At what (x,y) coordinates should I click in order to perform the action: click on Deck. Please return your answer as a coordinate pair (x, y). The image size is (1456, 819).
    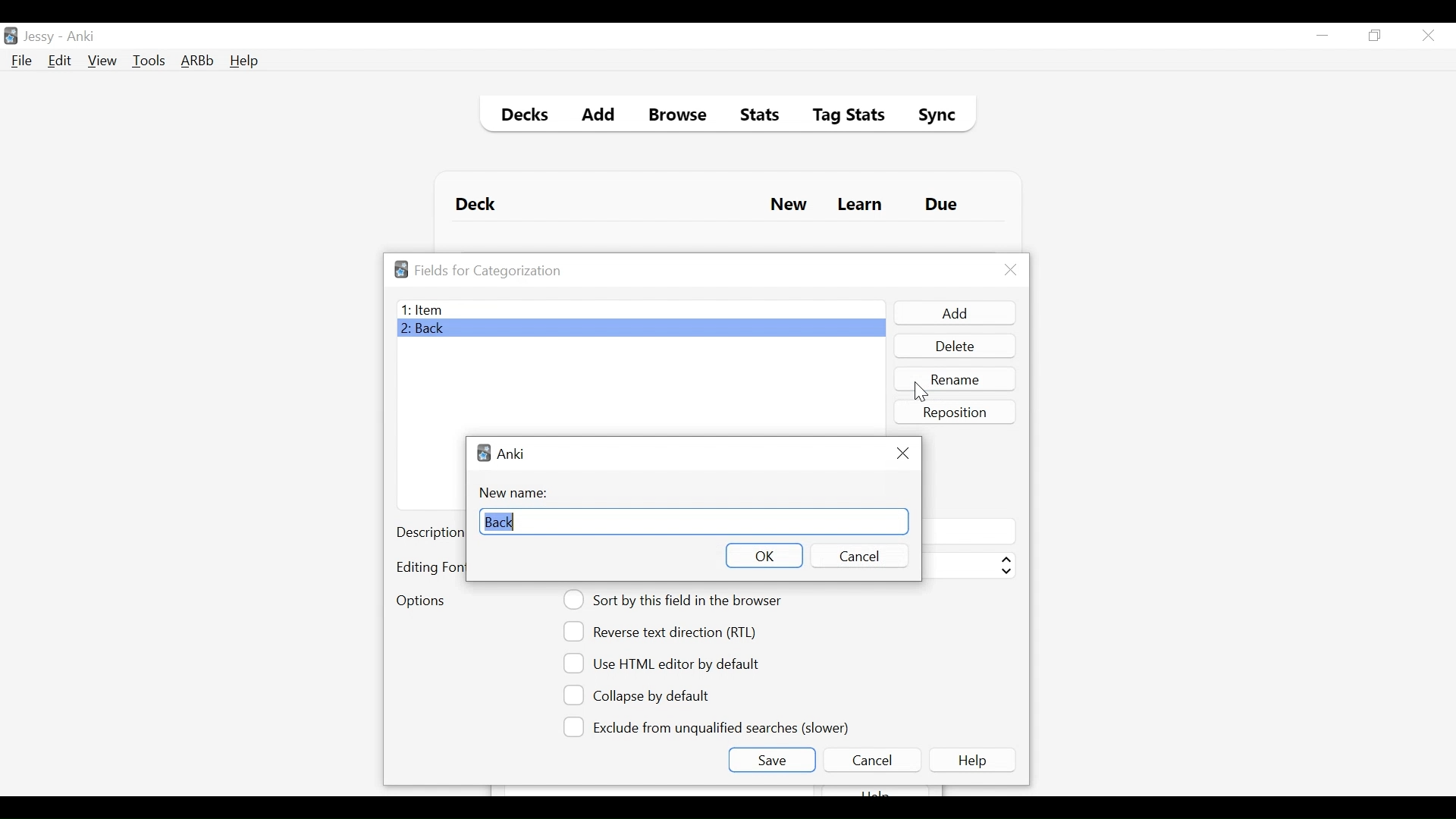
    Looking at the image, I should click on (479, 205).